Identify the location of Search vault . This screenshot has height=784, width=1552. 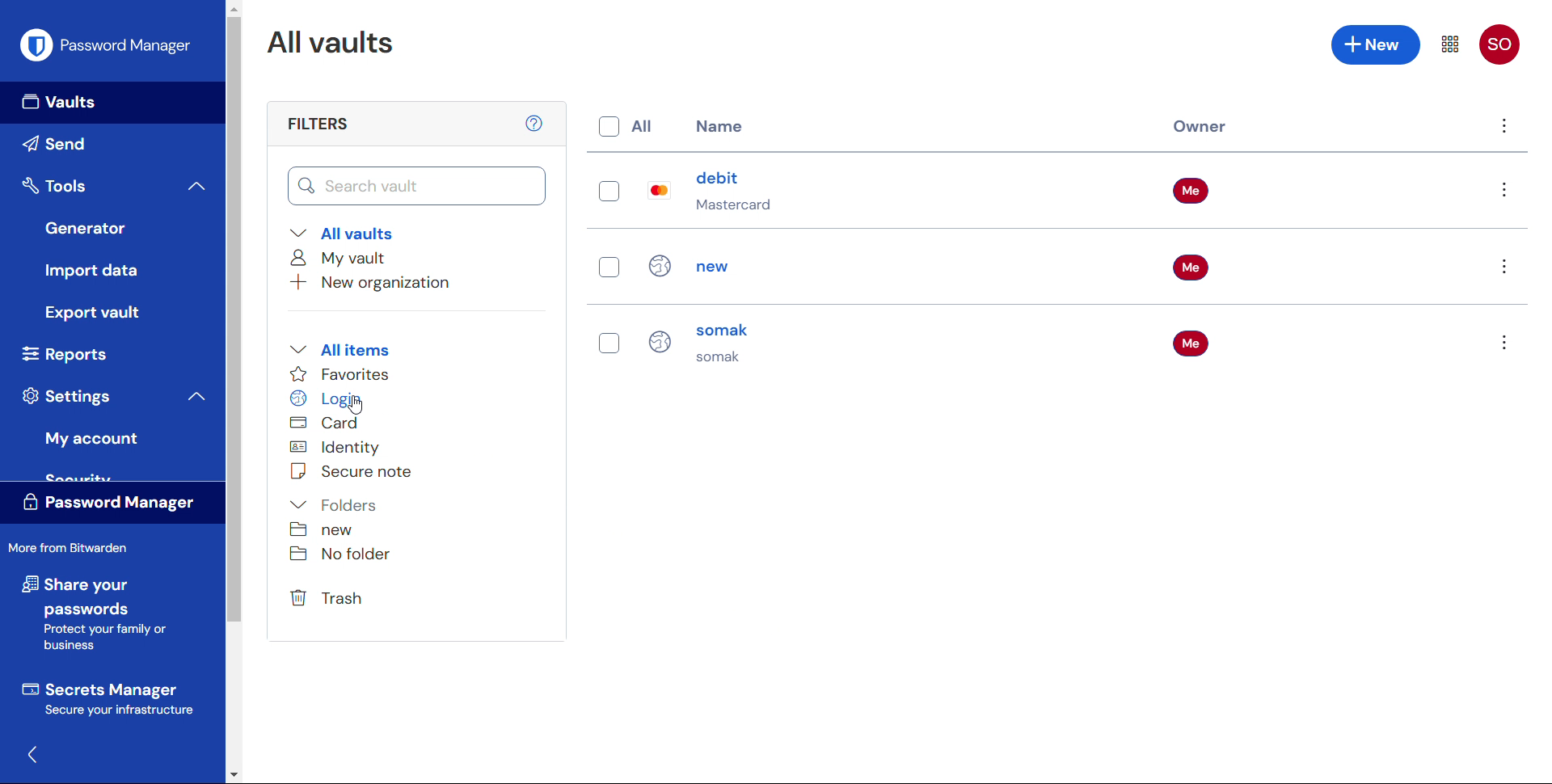
(415, 186).